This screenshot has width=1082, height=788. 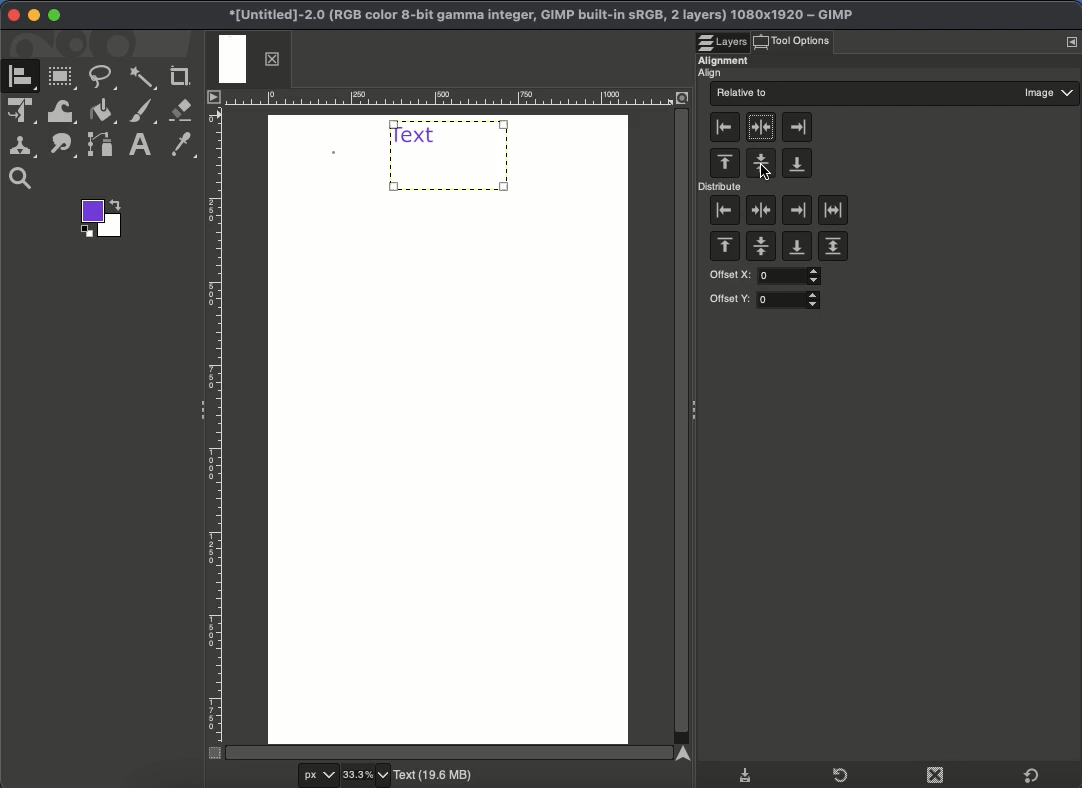 What do you see at coordinates (539, 12) in the screenshot?
I see `Project name` at bounding box center [539, 12].